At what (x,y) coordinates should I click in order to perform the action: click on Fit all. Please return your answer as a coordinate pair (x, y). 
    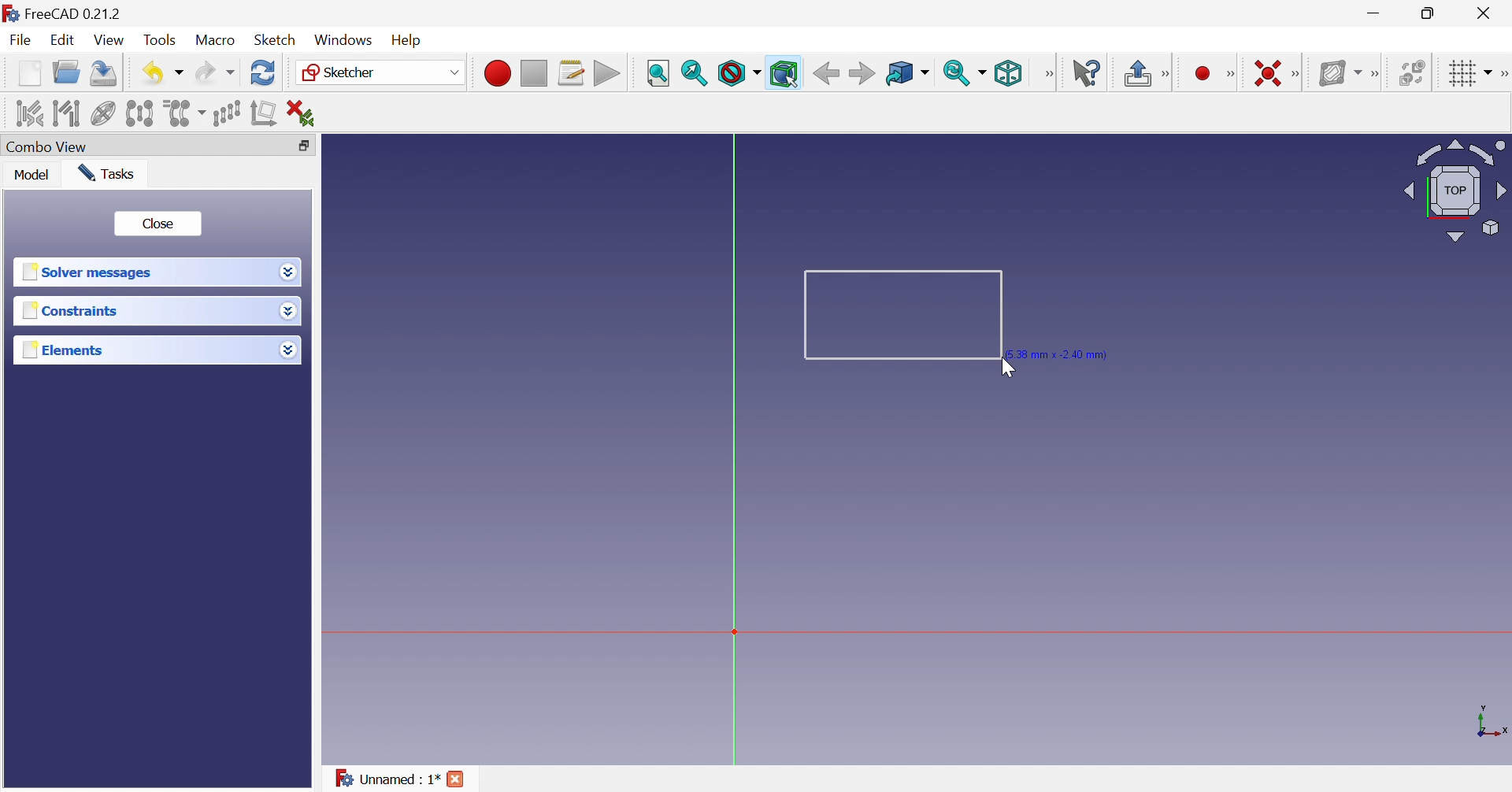
    Looking at the image, I should click on (658, 73).